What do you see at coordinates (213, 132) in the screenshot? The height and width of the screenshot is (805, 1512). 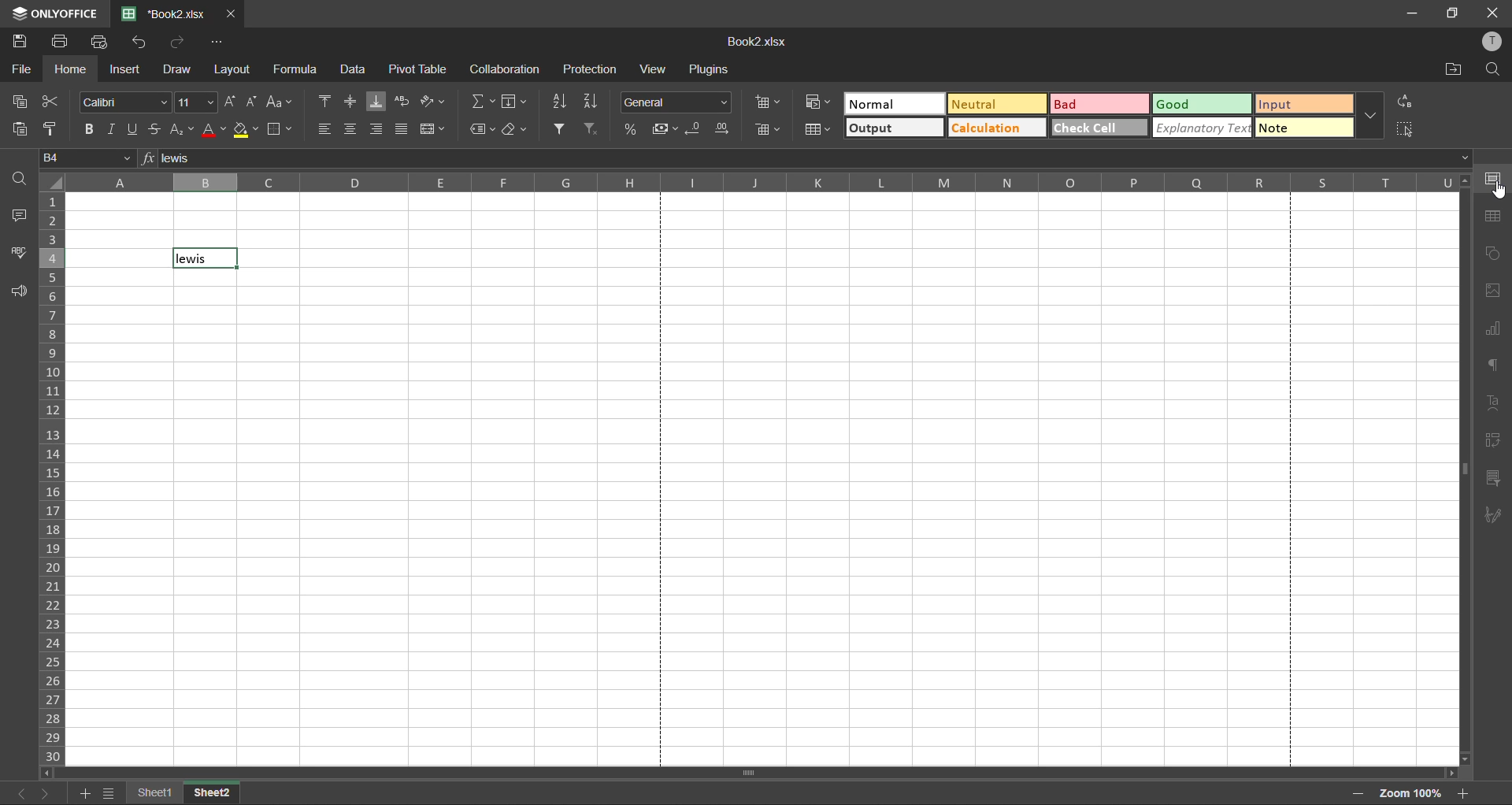 I see `font color` at bounding box center [213, 132].